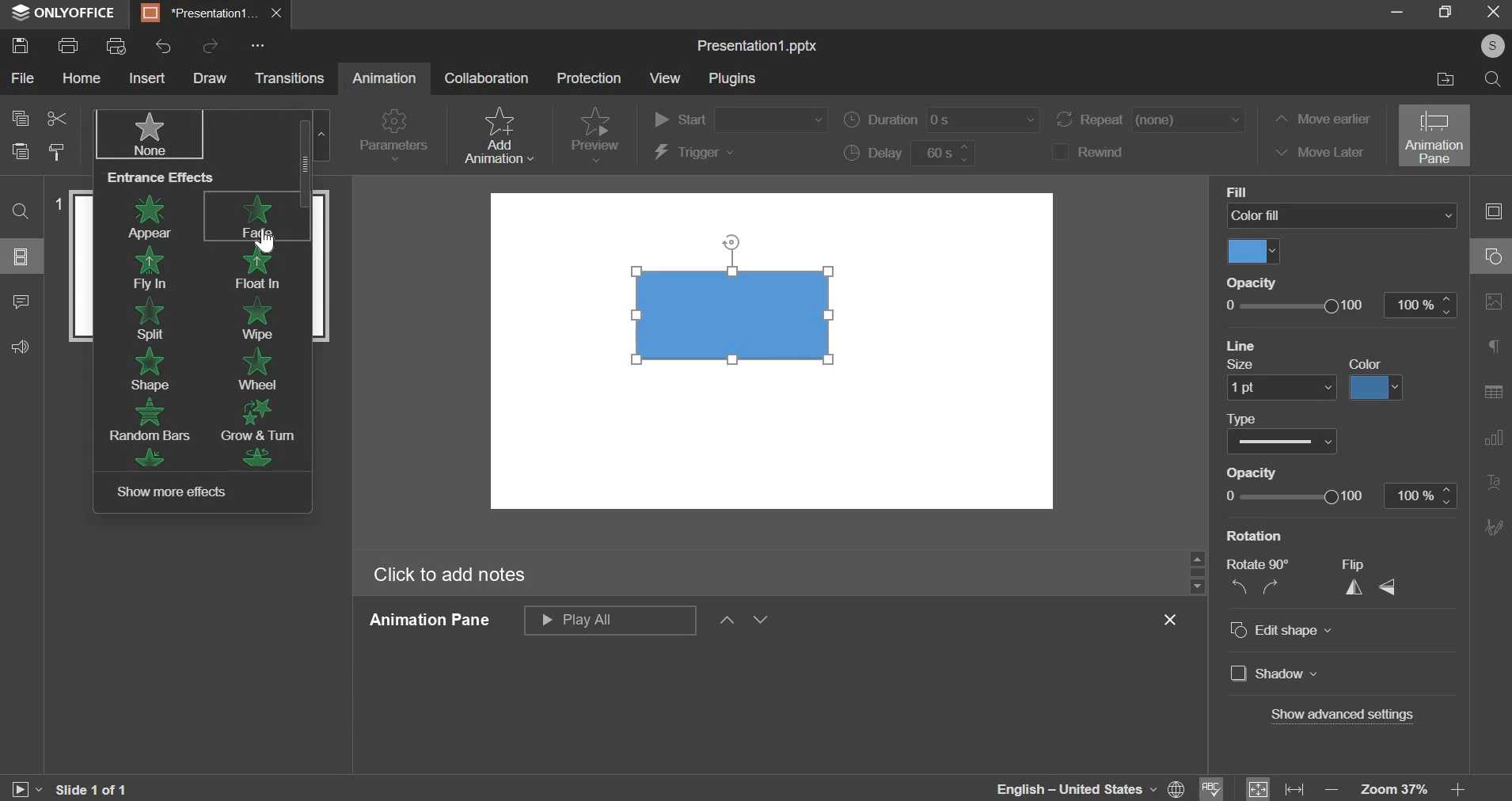 This screenshot has height=801, width=1512. I want to click on More Options, so click(1493, 526).